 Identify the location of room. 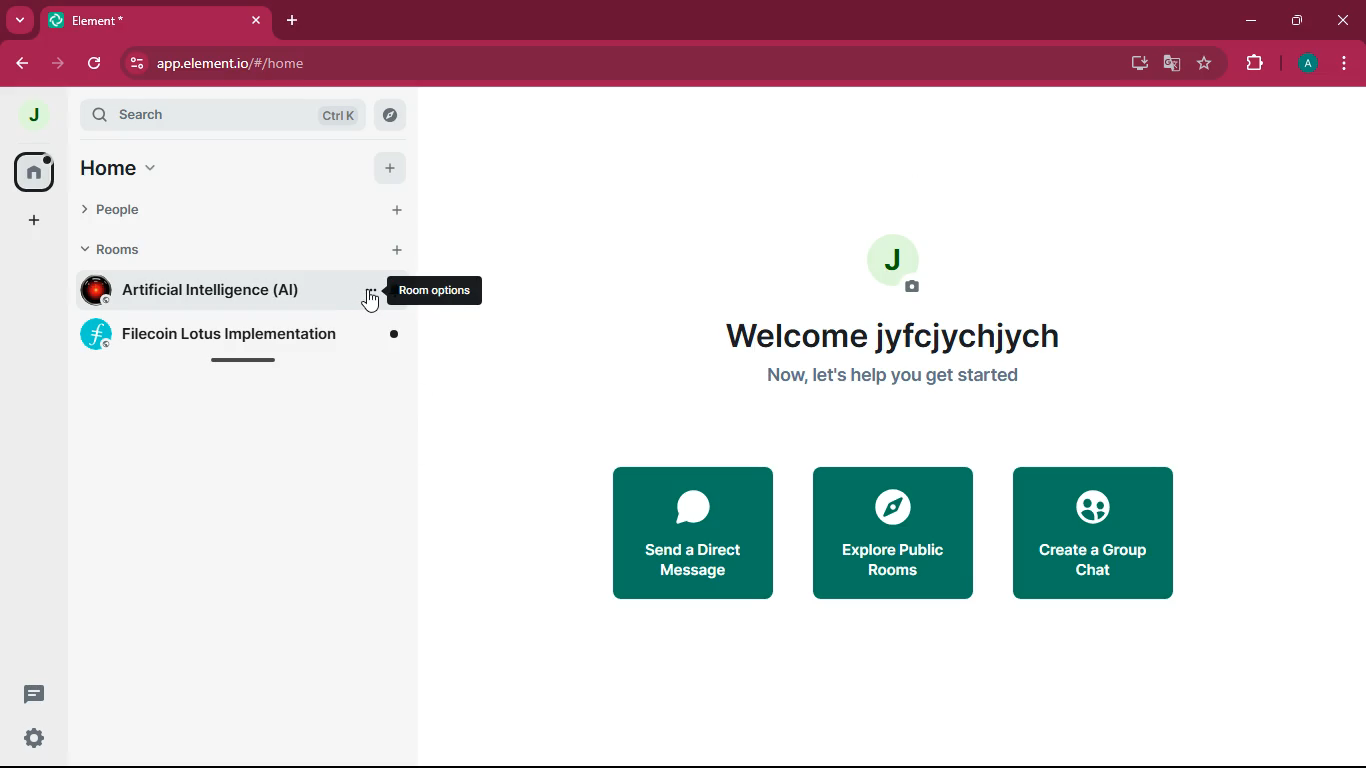
(207, 291).